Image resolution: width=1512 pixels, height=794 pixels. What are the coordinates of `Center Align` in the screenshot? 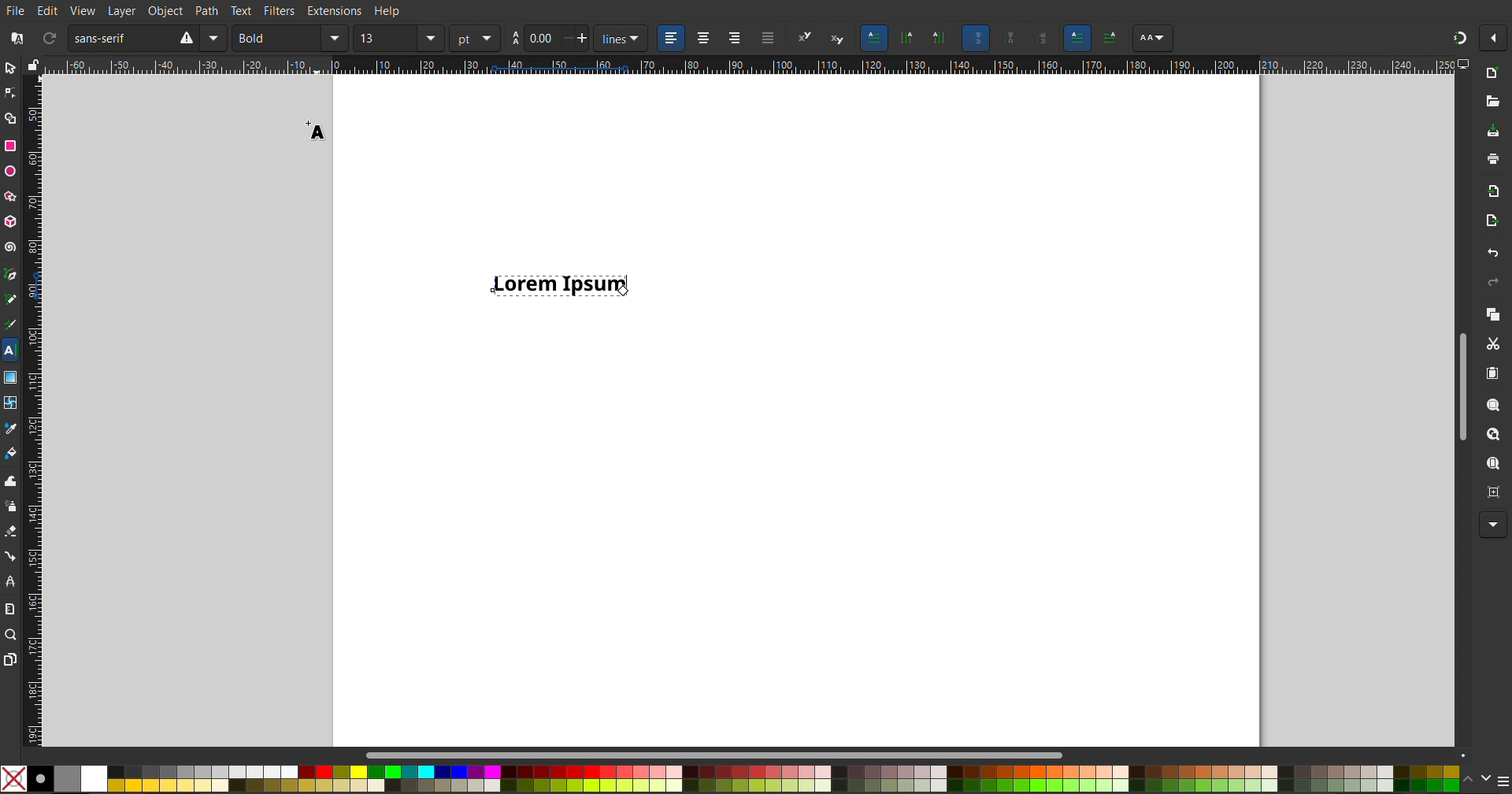 It's located at (702, 39).